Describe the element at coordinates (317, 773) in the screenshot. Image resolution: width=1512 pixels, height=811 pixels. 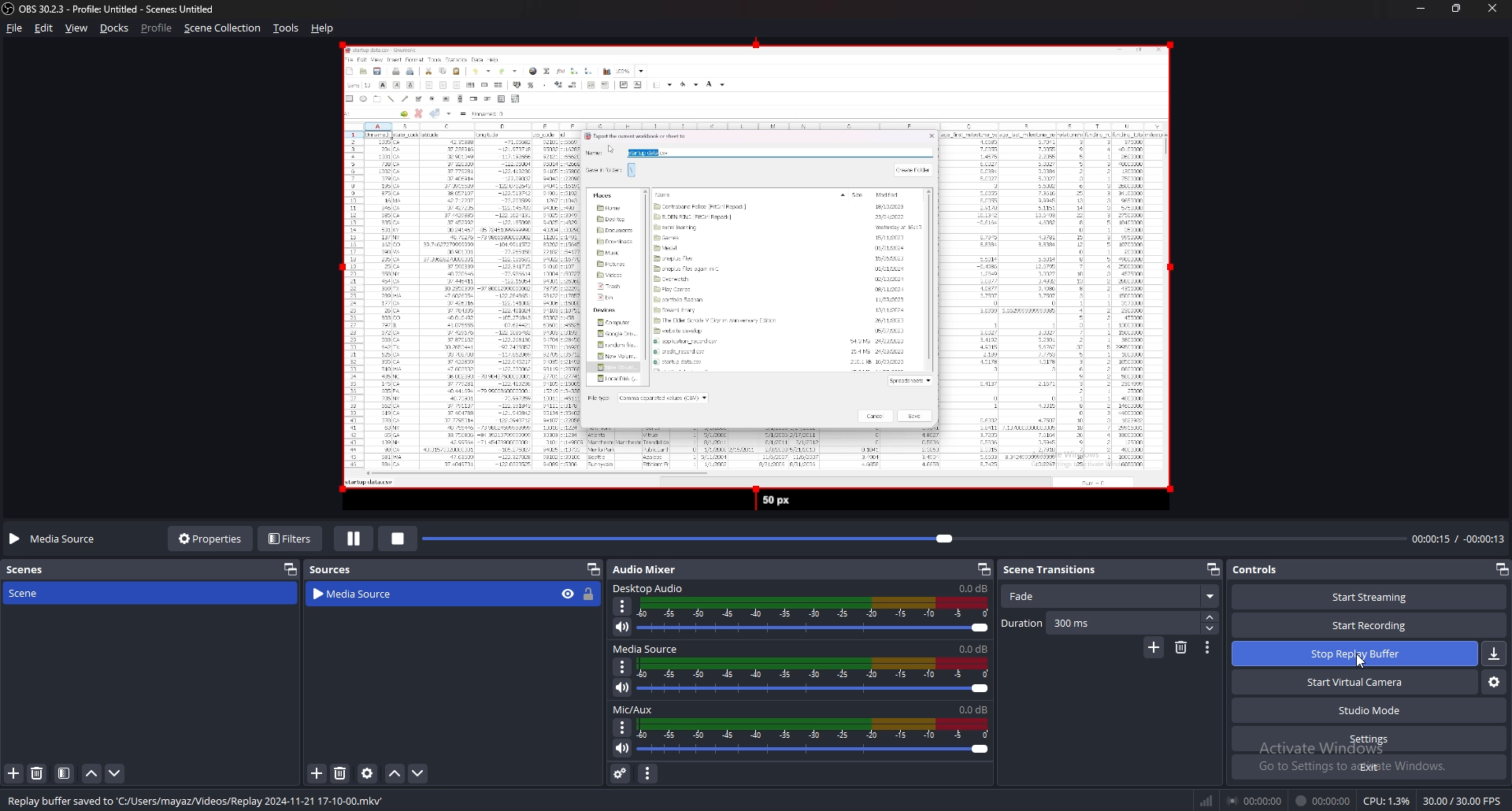
I see `add source` at that location.